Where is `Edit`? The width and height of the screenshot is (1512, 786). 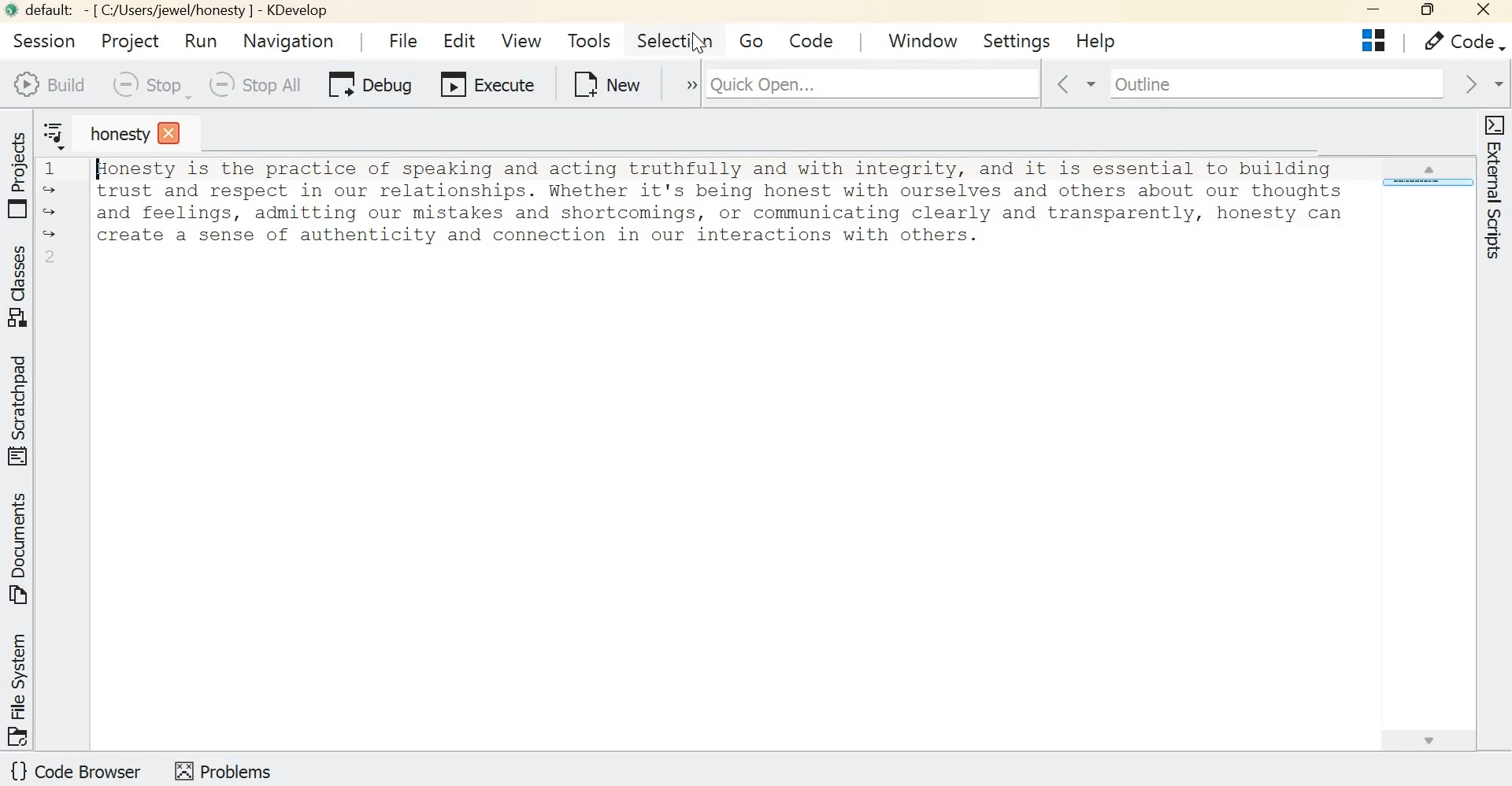
Edit is located at coordinates (462, 43).